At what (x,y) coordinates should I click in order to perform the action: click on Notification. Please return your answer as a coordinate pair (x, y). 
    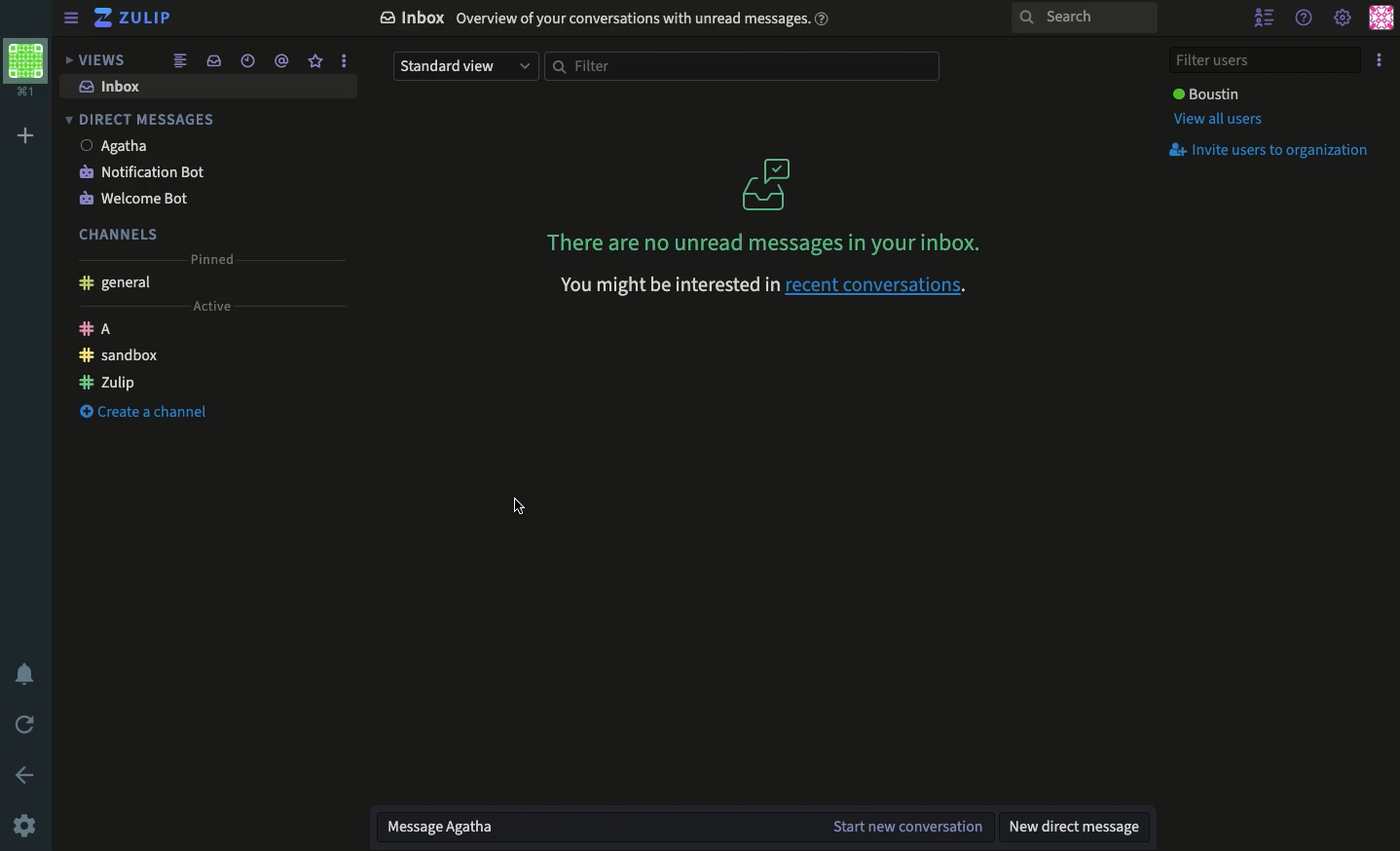
    Looking at the image, I should click on (22, 672).